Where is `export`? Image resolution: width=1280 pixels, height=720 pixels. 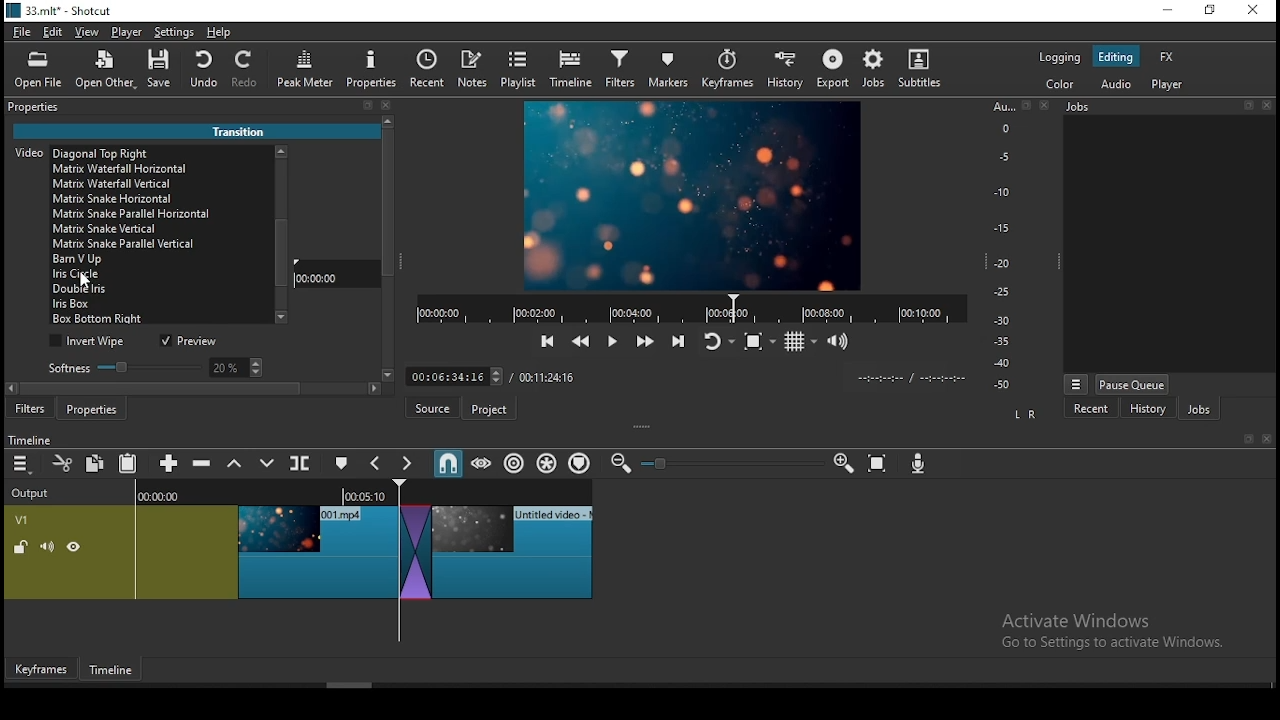 export is located at coordinates (835, 68).